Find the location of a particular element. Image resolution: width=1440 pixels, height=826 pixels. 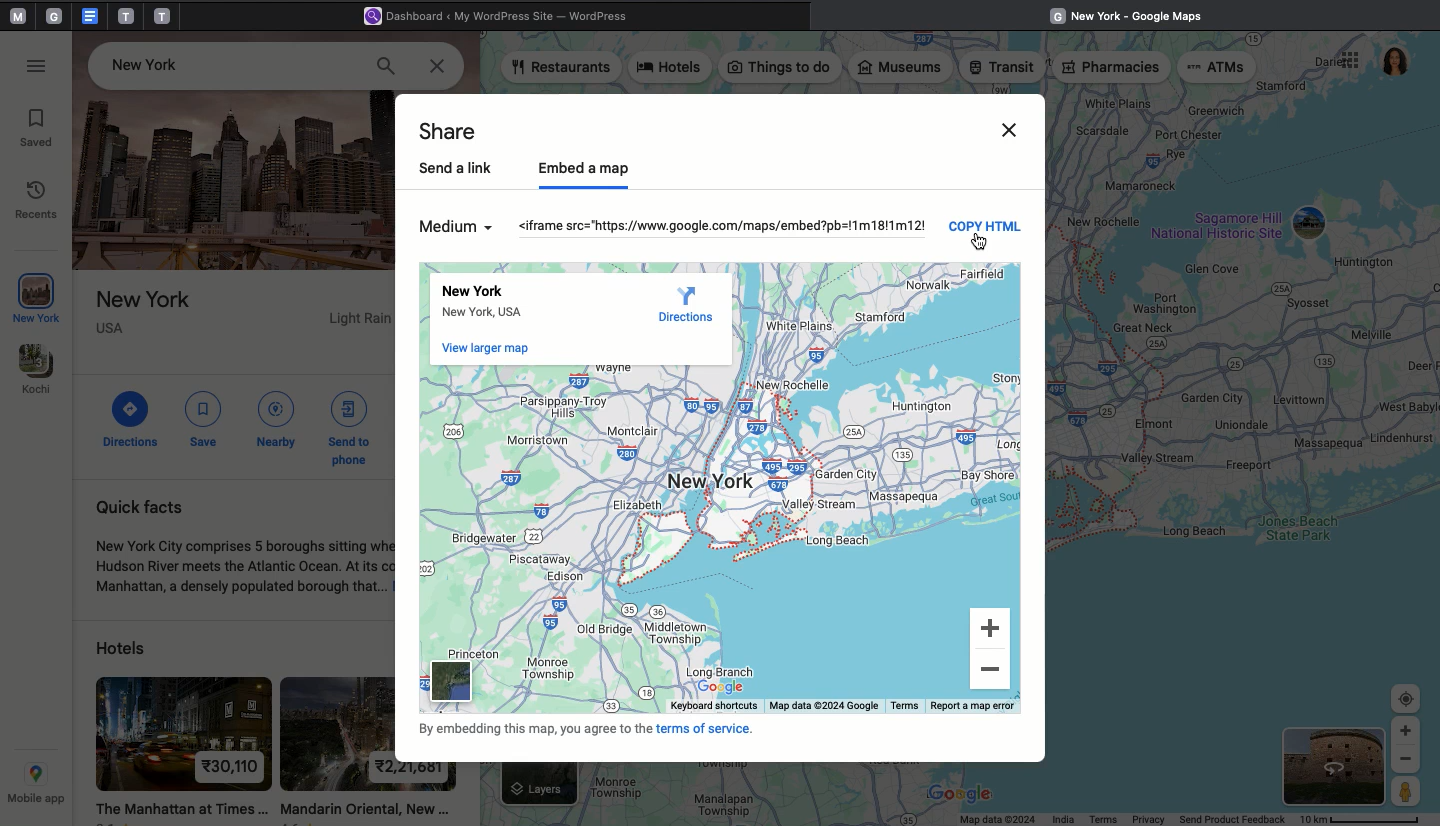

Zoom out is located at coordinates (1406, 761).